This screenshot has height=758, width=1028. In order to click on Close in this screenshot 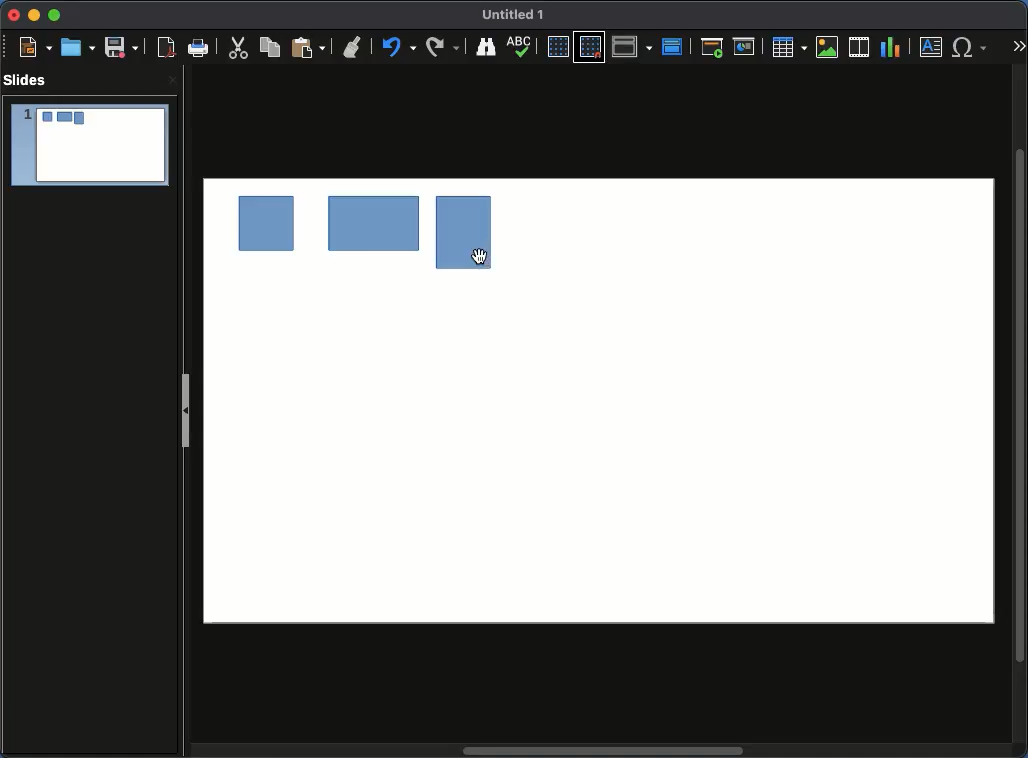, I will do `click(15, 15)`.